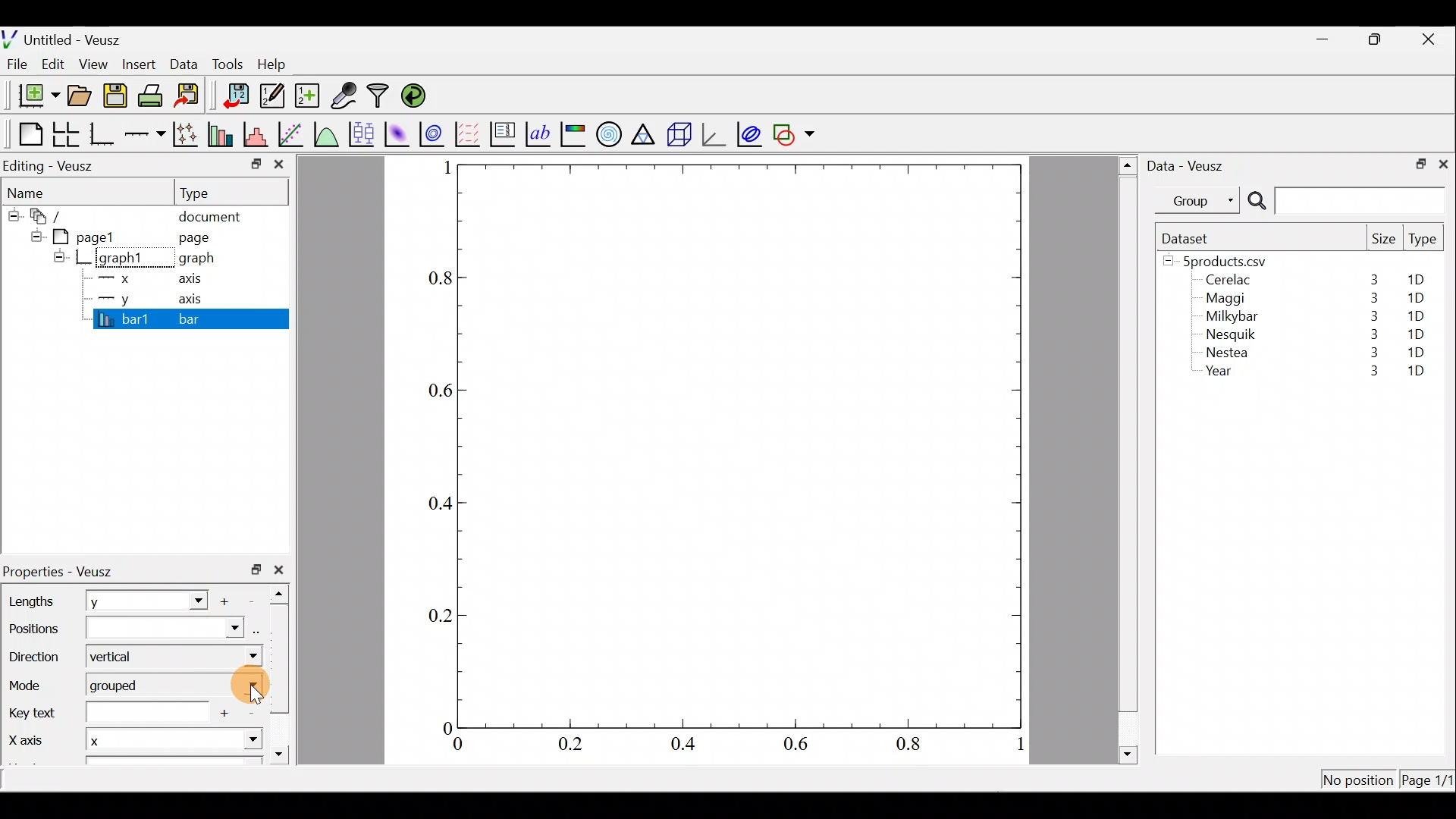 The width and height of the screenshot is (1456, 819). What do you see at coordinates (1228, 353) in the screenshot?
I see `Nestea` at bounding box center [1228, 353].